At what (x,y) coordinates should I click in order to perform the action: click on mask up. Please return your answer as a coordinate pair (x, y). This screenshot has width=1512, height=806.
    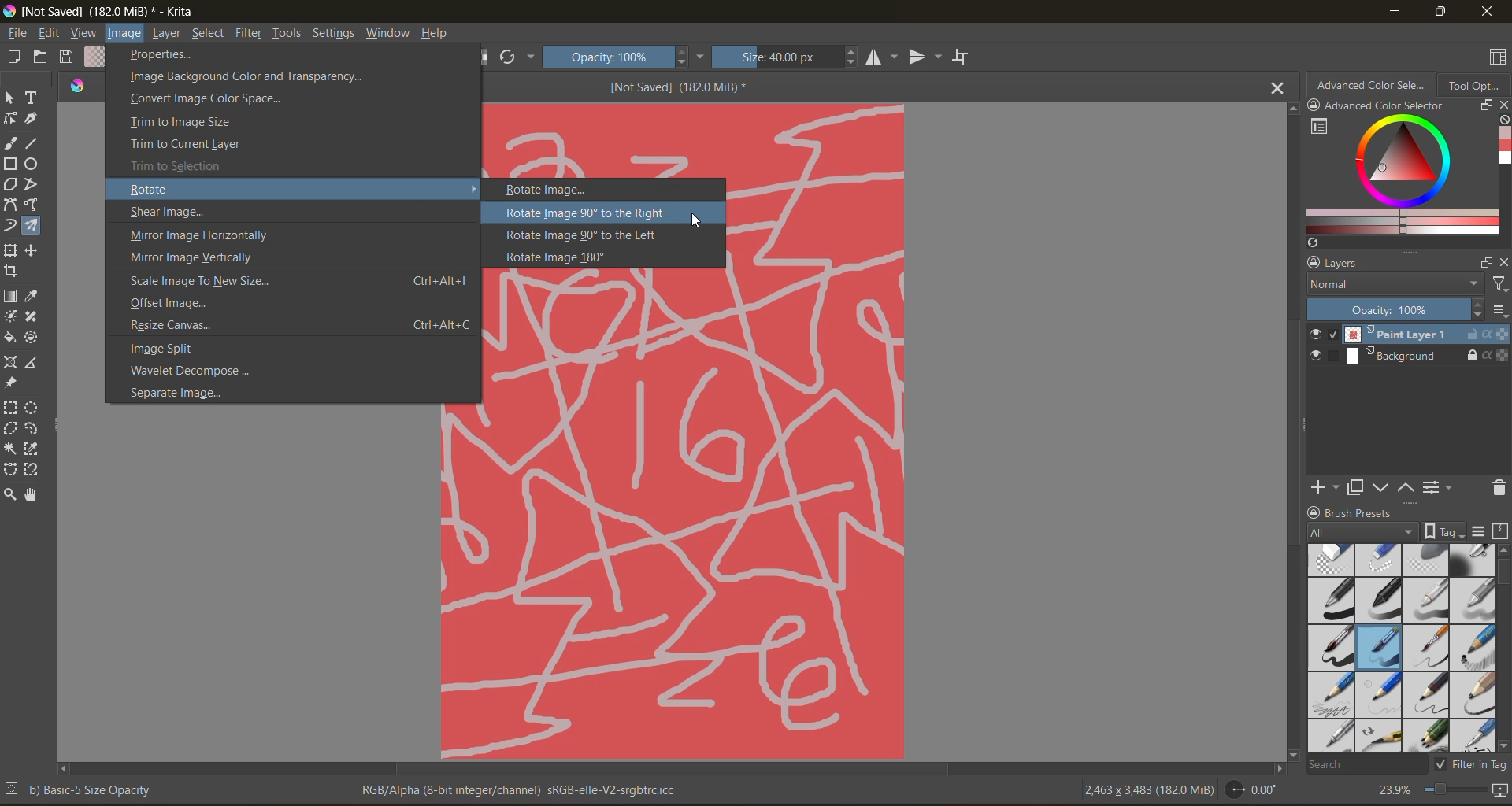
    Looking at the image, I should click on (1404, 488).